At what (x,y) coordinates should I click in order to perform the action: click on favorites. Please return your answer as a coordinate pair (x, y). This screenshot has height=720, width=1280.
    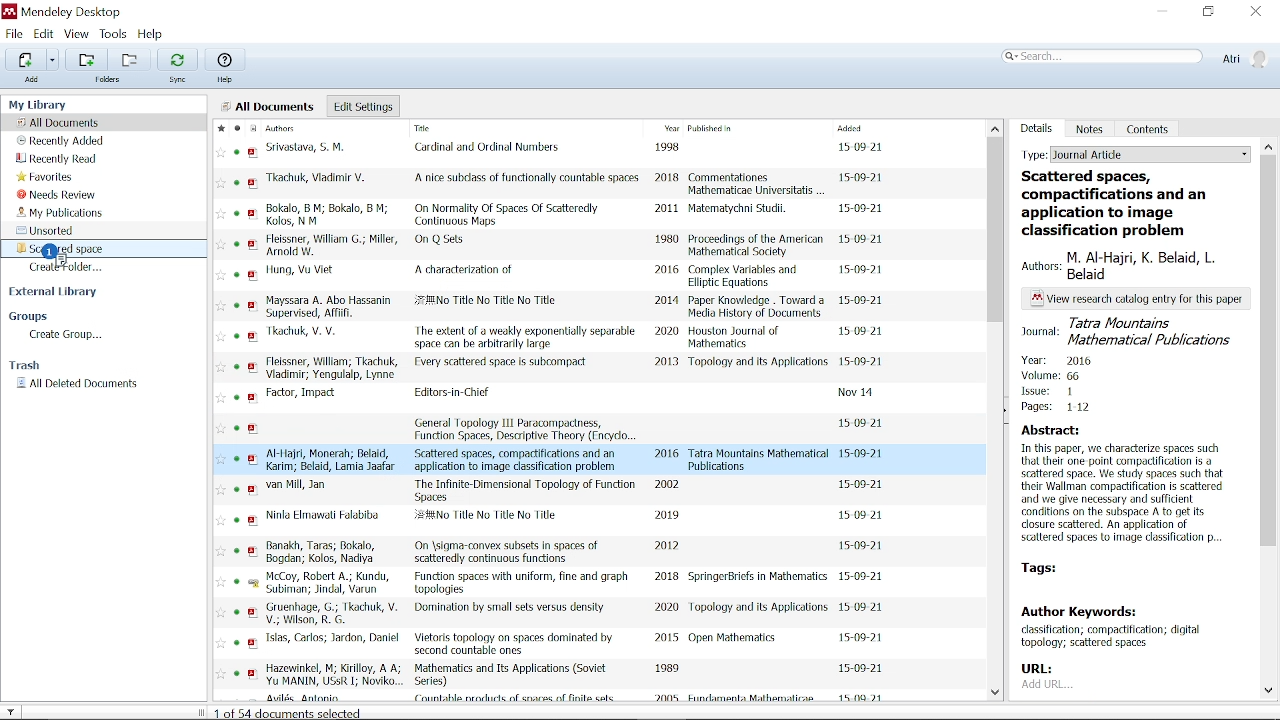
    Looking at the image, I should click on (220, 414).